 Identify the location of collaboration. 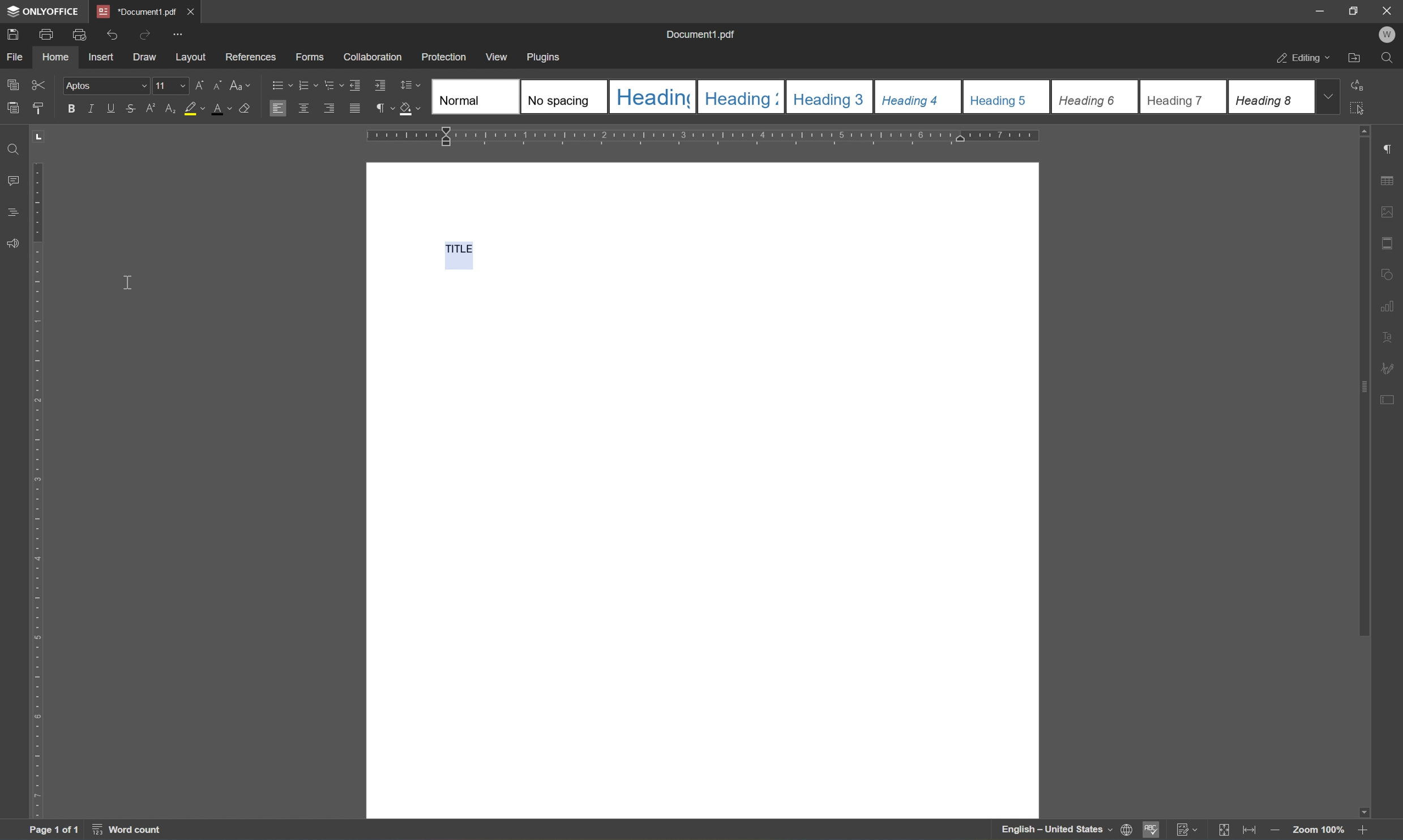
(377, 57).